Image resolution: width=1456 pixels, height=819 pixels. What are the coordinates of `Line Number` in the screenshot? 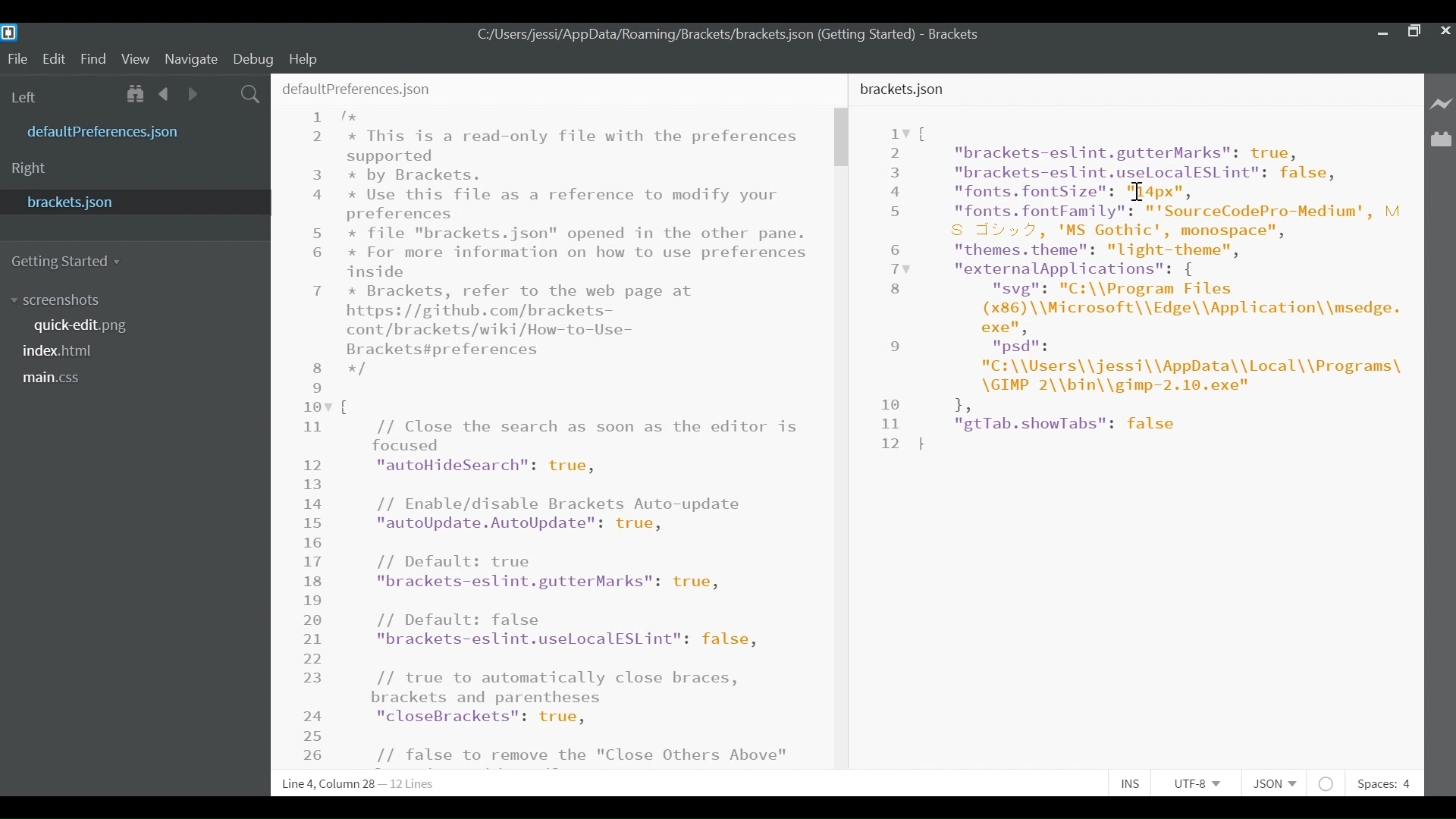 It's located at (890, 288).